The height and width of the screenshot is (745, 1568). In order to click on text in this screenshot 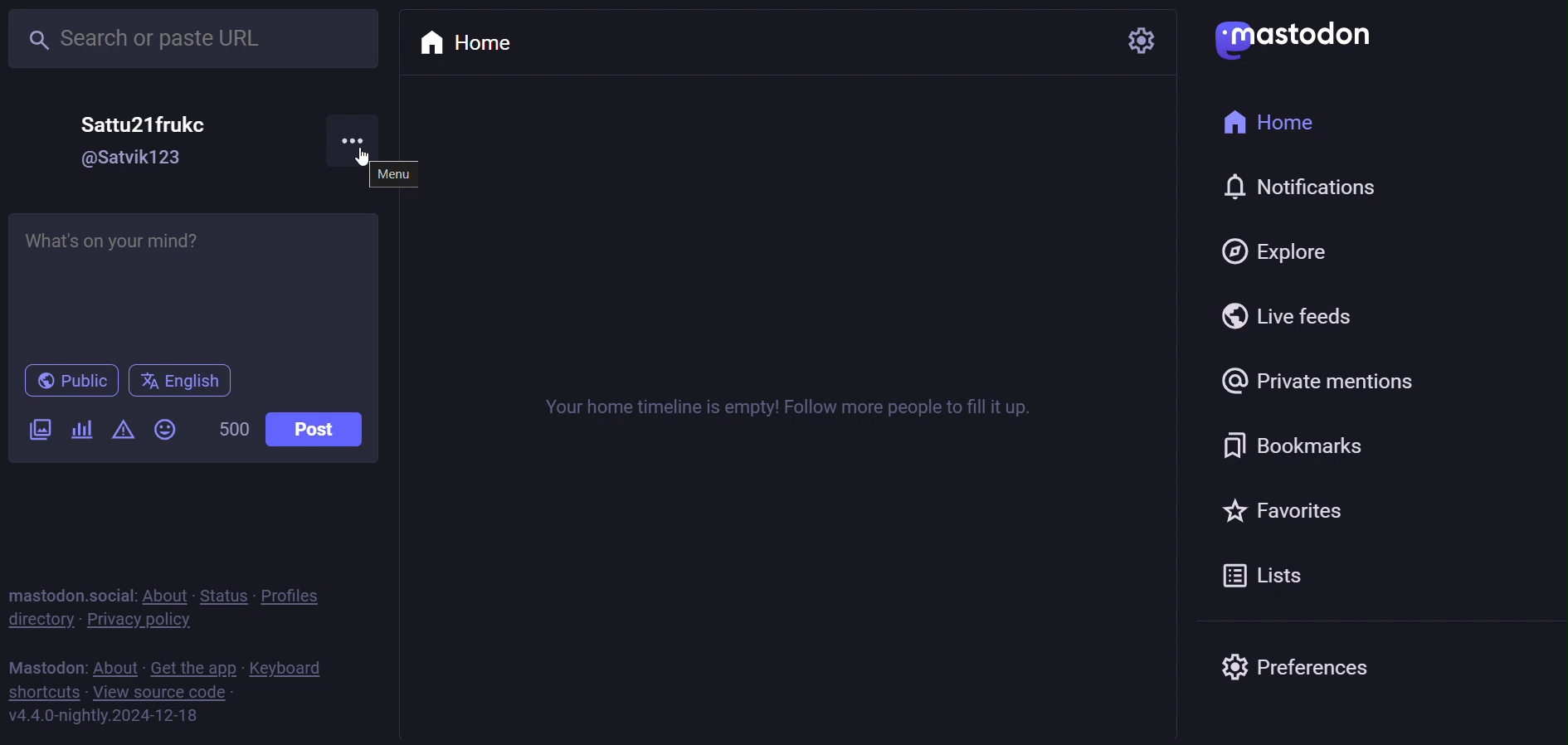, I will do `click(45, 665)`.